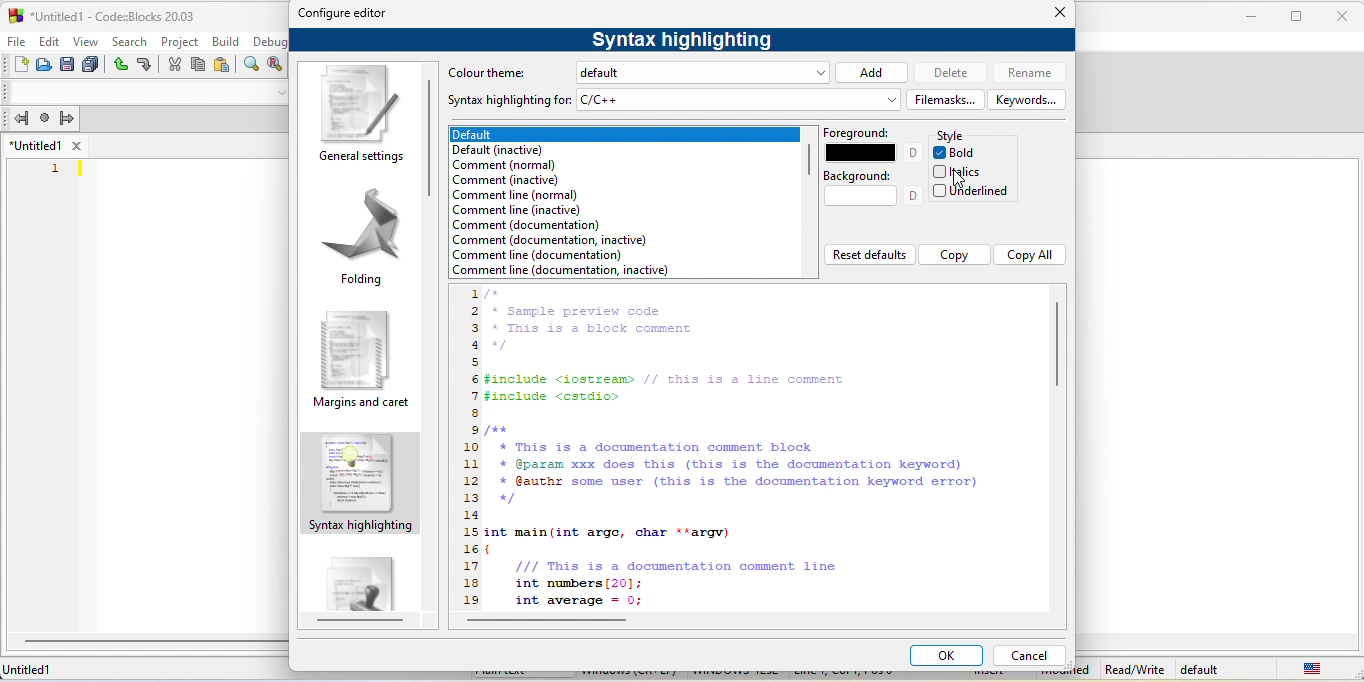 The width and height of the screenshot is (1364, 682). I want to click on 1, so click(57, 170).